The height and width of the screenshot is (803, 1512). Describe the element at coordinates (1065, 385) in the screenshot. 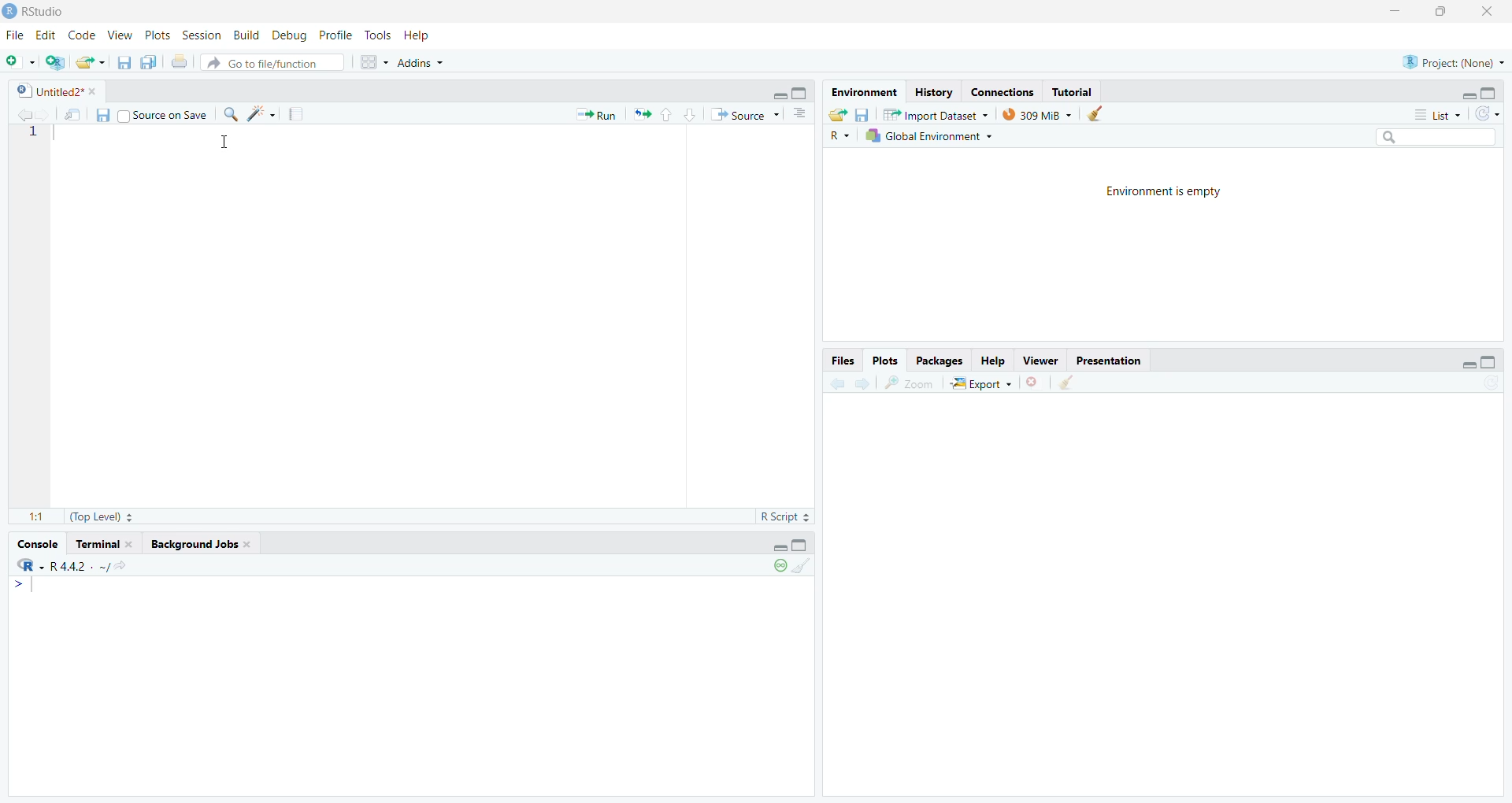

I see `clear` at that location.